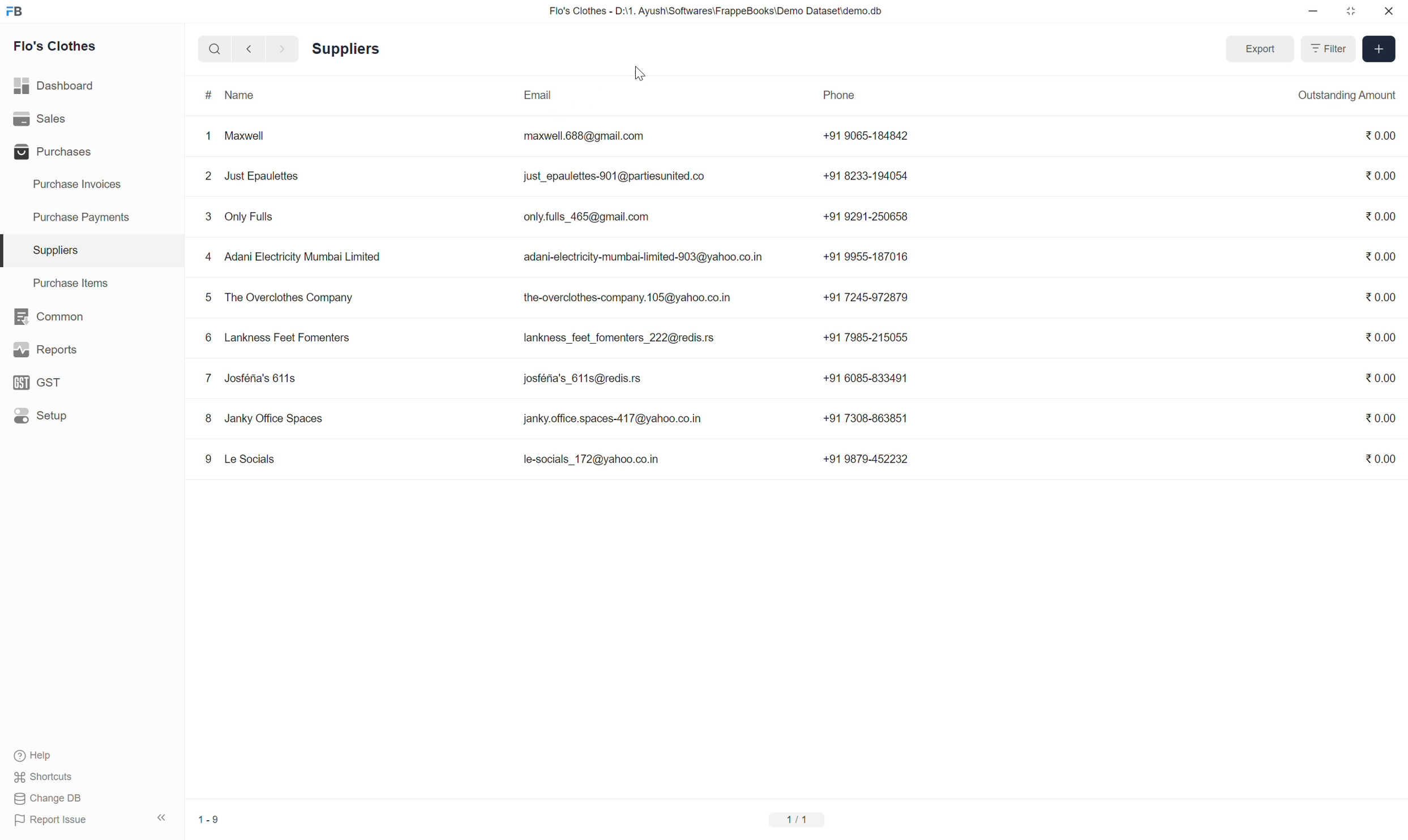 The height and width of the screenshot is (840, 1408). What do you see at coordinates (870, 136) in the screenshot?
I see `+91 9065-184842` at bounding box center [870, 136].